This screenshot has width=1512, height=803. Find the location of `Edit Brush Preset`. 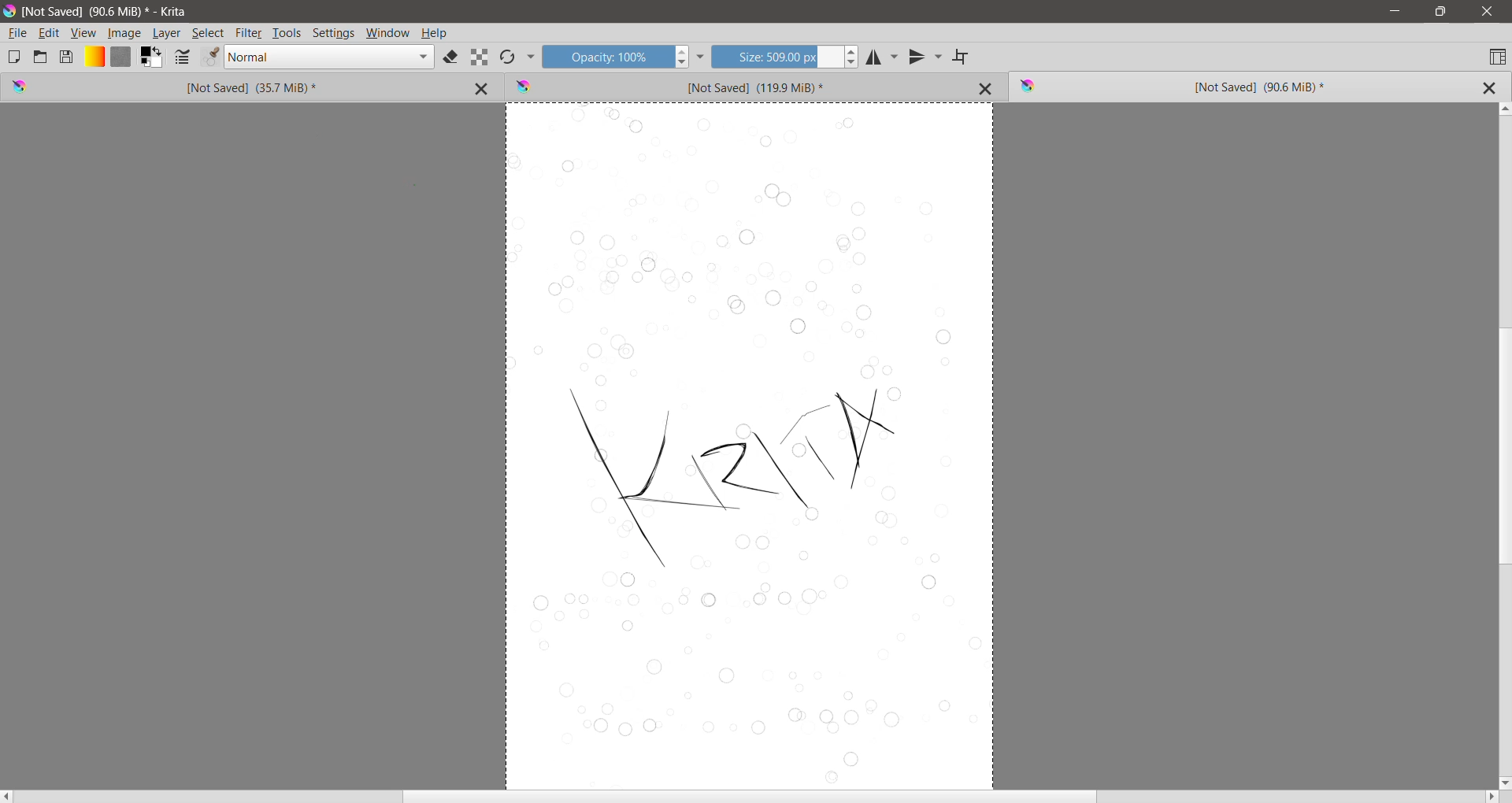

Edit Brush Preset is located at coordinates (209, 57).